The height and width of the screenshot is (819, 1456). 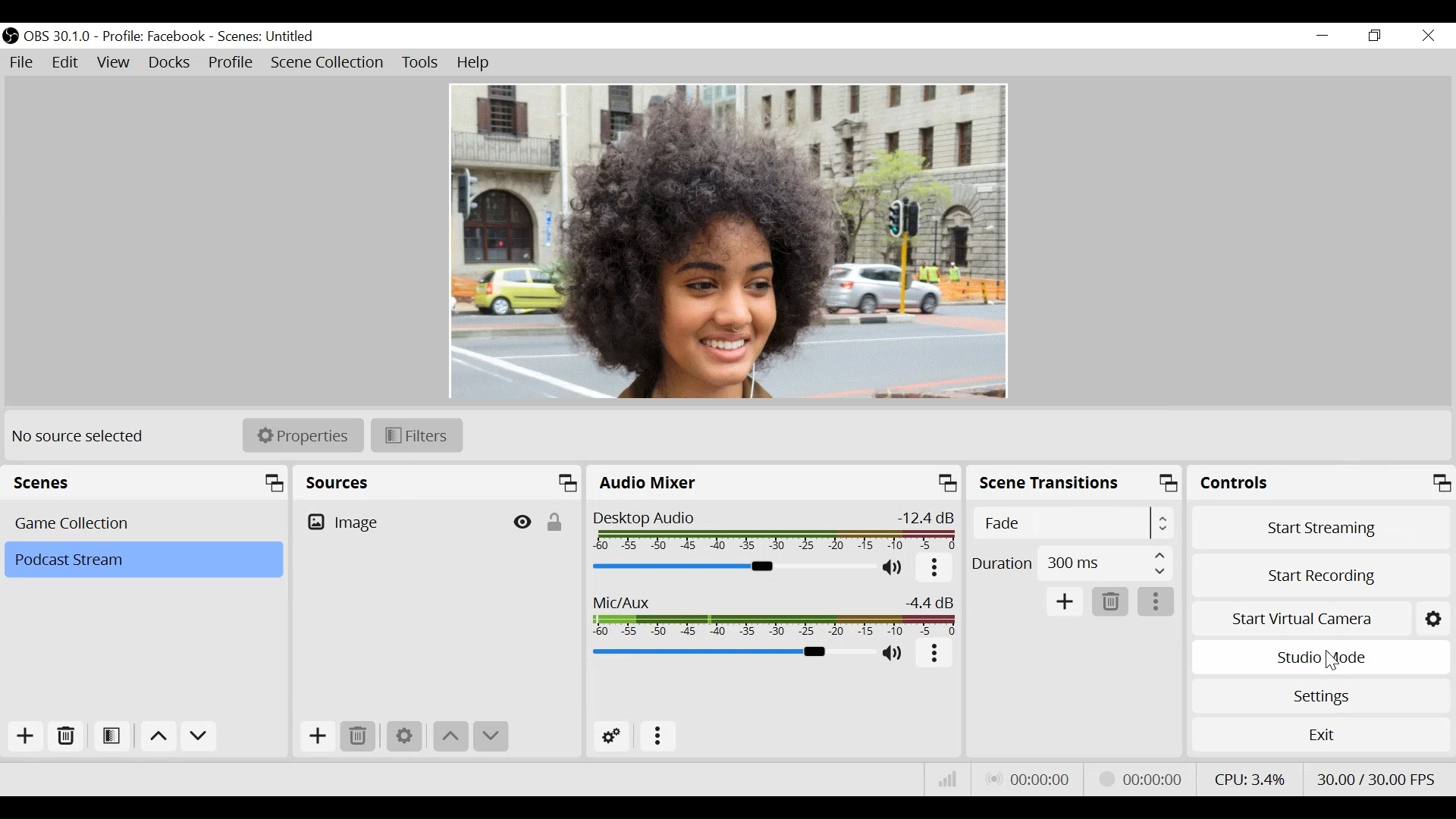 I want to click on Scene Collection, so click(x=328, y=64).